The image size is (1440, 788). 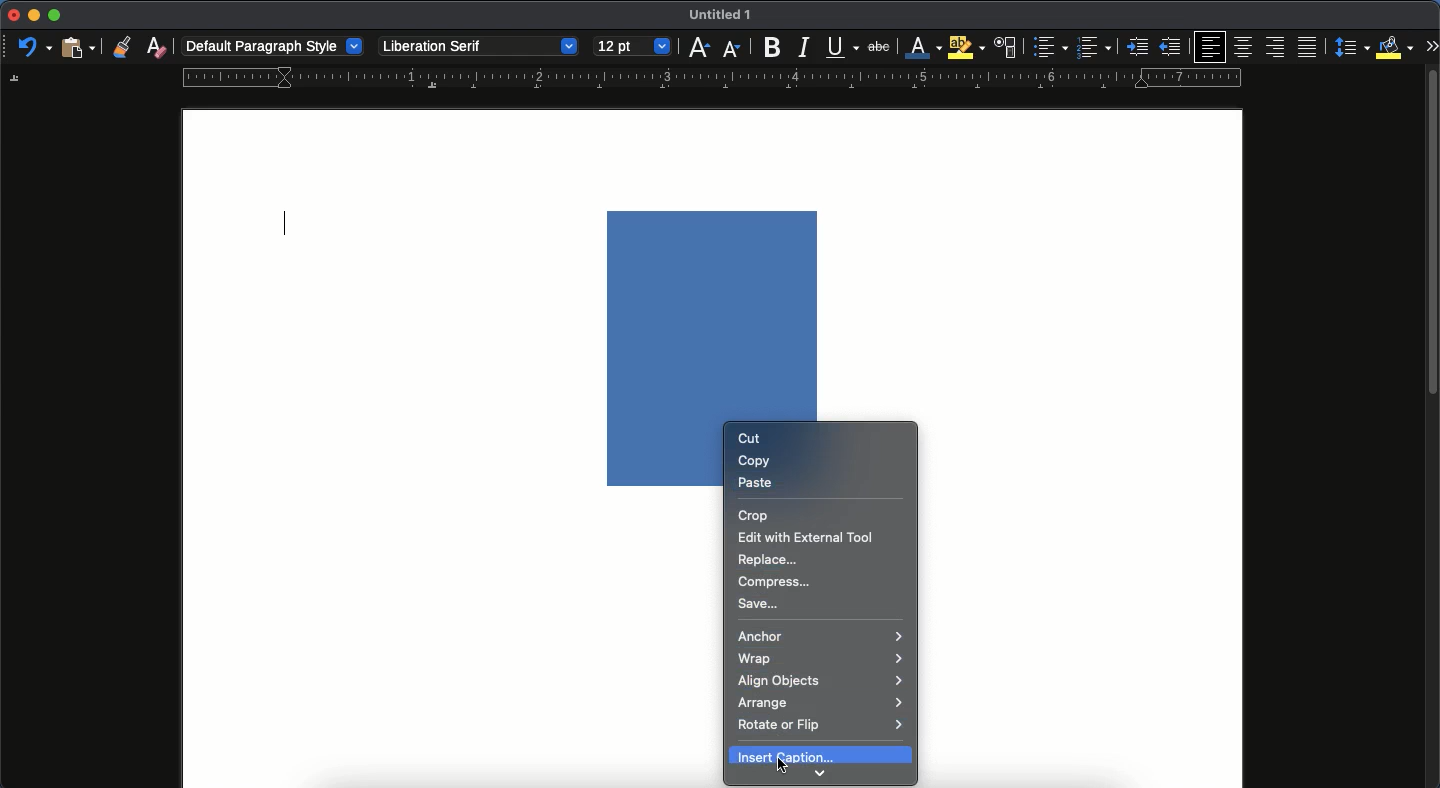 What do you see at coordinates (782, 768) in the screenshot?
I see `cursor` at bounding box center [782, 768].